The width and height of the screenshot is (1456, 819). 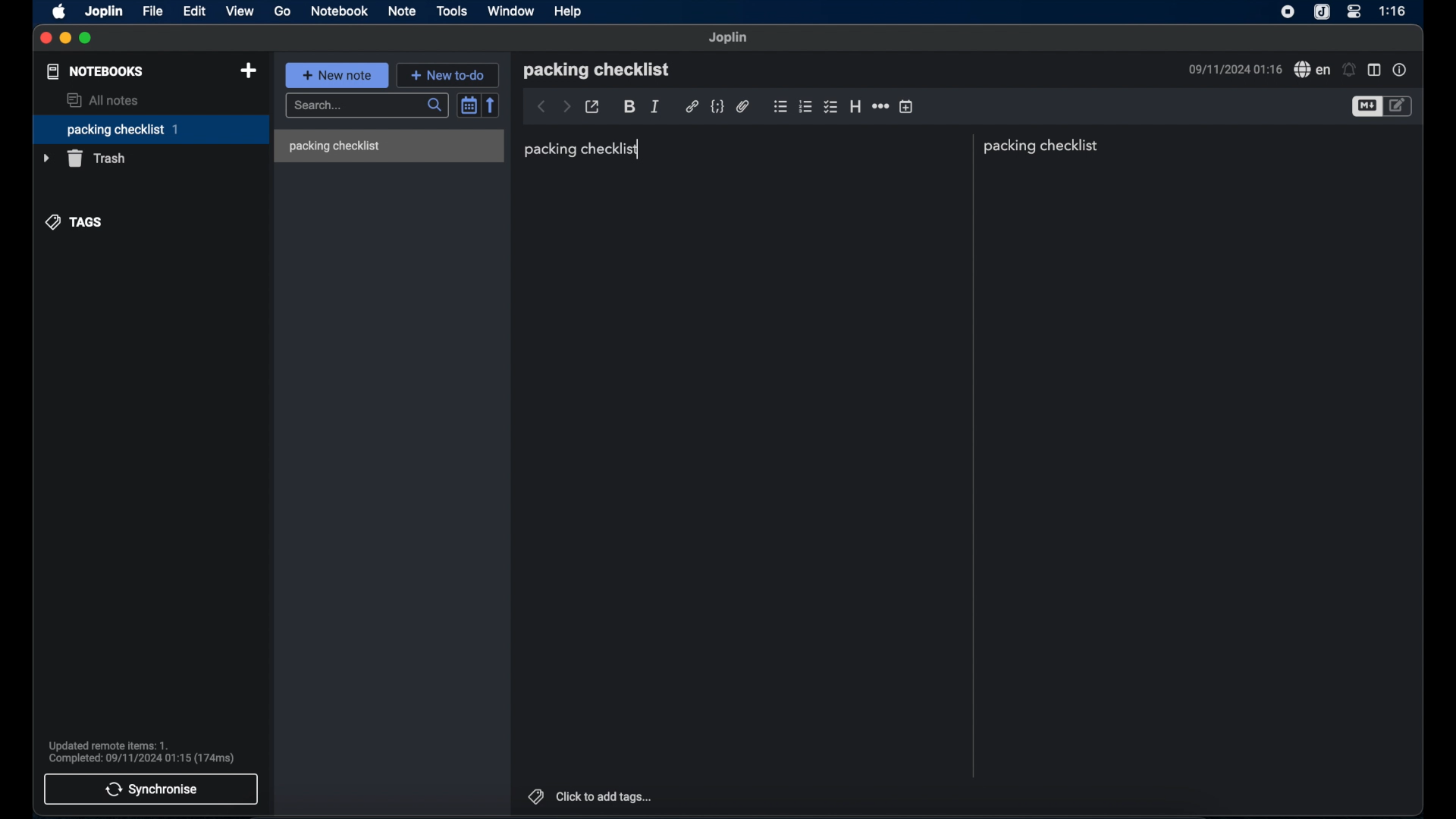 What do you see at coordinates (240, 11) in the screenshot?
I see `view` at bounding box center [240, 11].